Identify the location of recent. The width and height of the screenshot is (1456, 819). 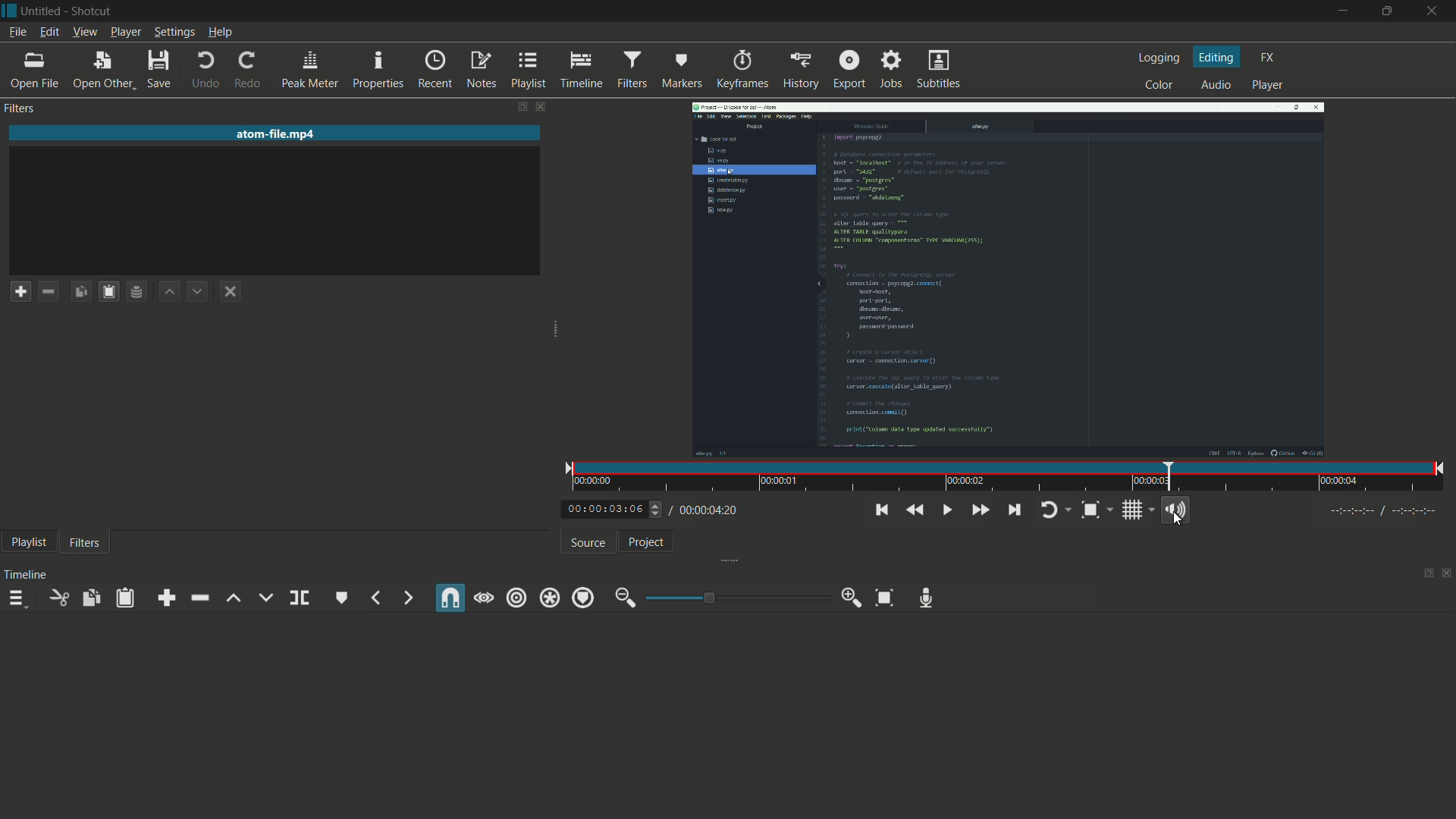
(434, 71).